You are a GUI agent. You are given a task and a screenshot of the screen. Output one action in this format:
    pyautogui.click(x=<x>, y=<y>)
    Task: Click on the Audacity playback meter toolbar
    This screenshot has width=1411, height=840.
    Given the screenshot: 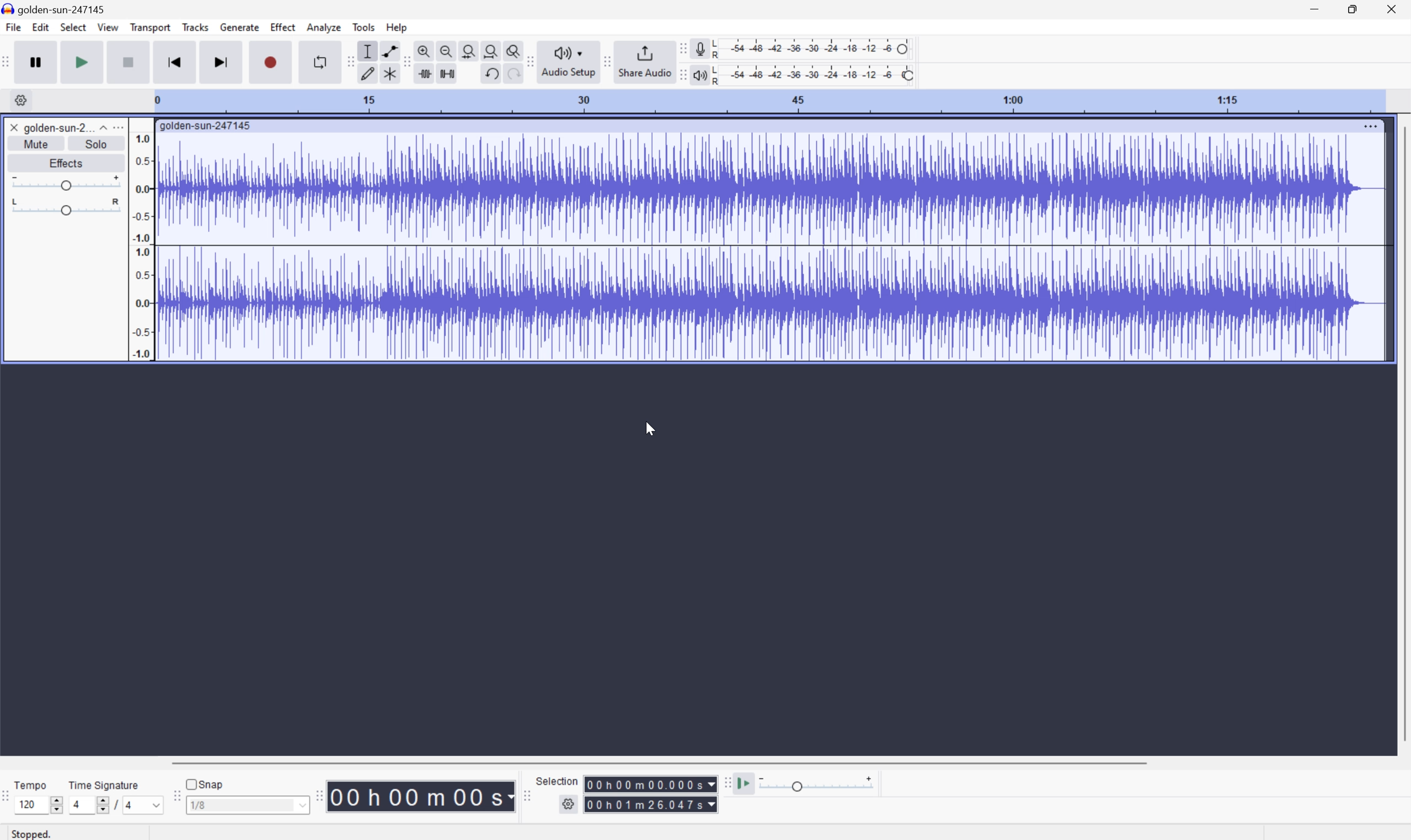 What is the action you would take?
    pyautogui.click(x=680, y=76)
    